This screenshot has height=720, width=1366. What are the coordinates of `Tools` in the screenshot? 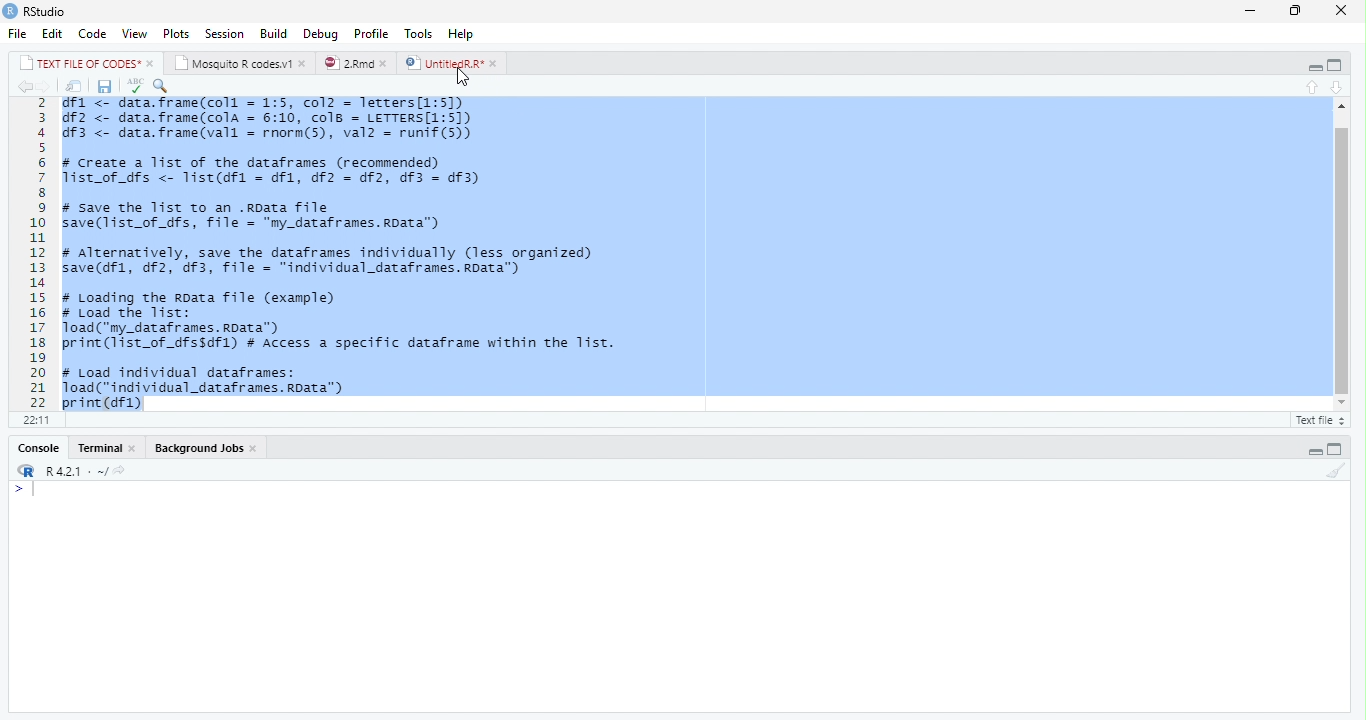 It's located at (421, 33).